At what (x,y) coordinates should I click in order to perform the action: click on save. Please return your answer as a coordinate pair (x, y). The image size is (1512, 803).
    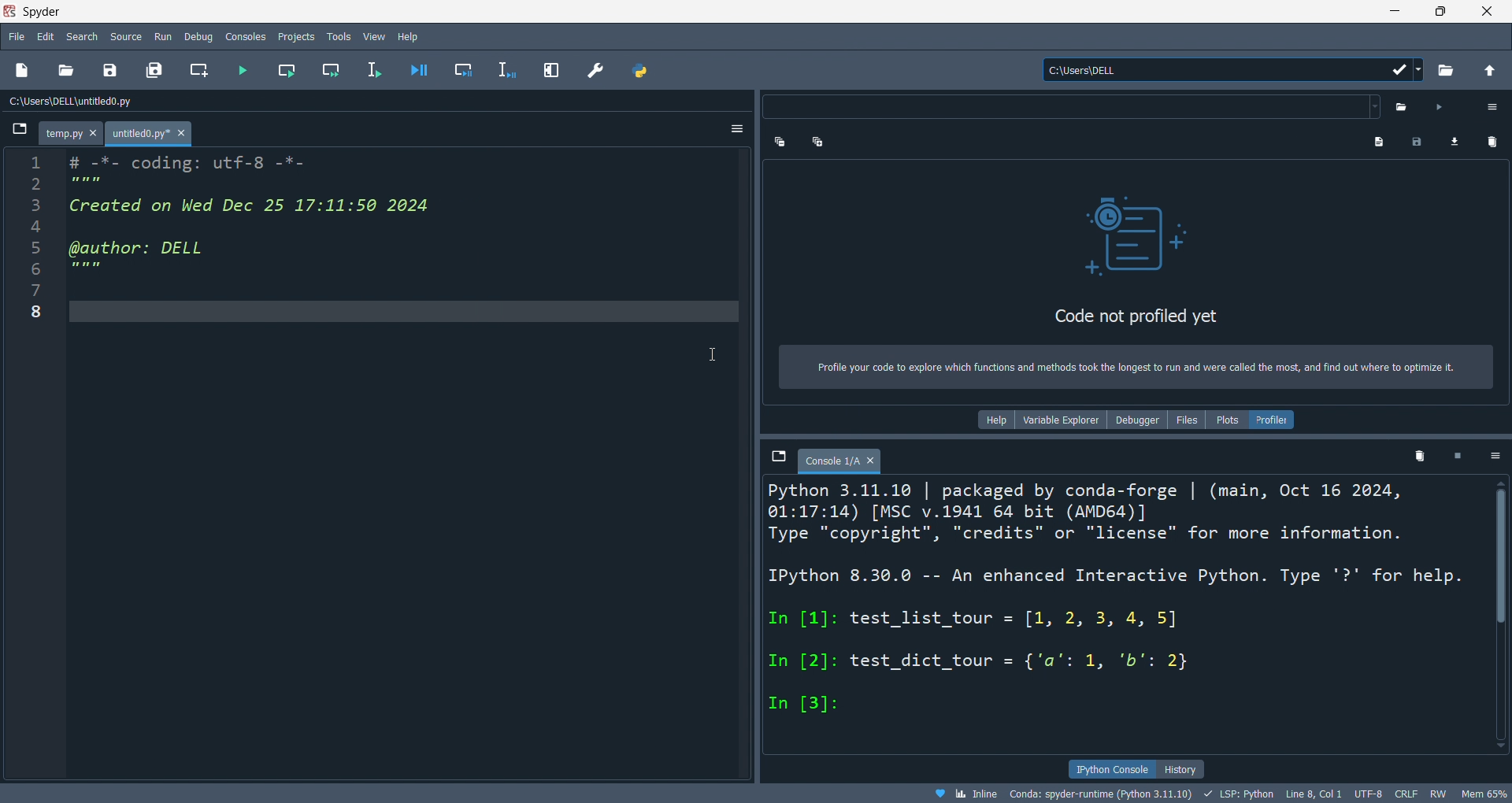
    Looking at the image, I should click on (115, 68).